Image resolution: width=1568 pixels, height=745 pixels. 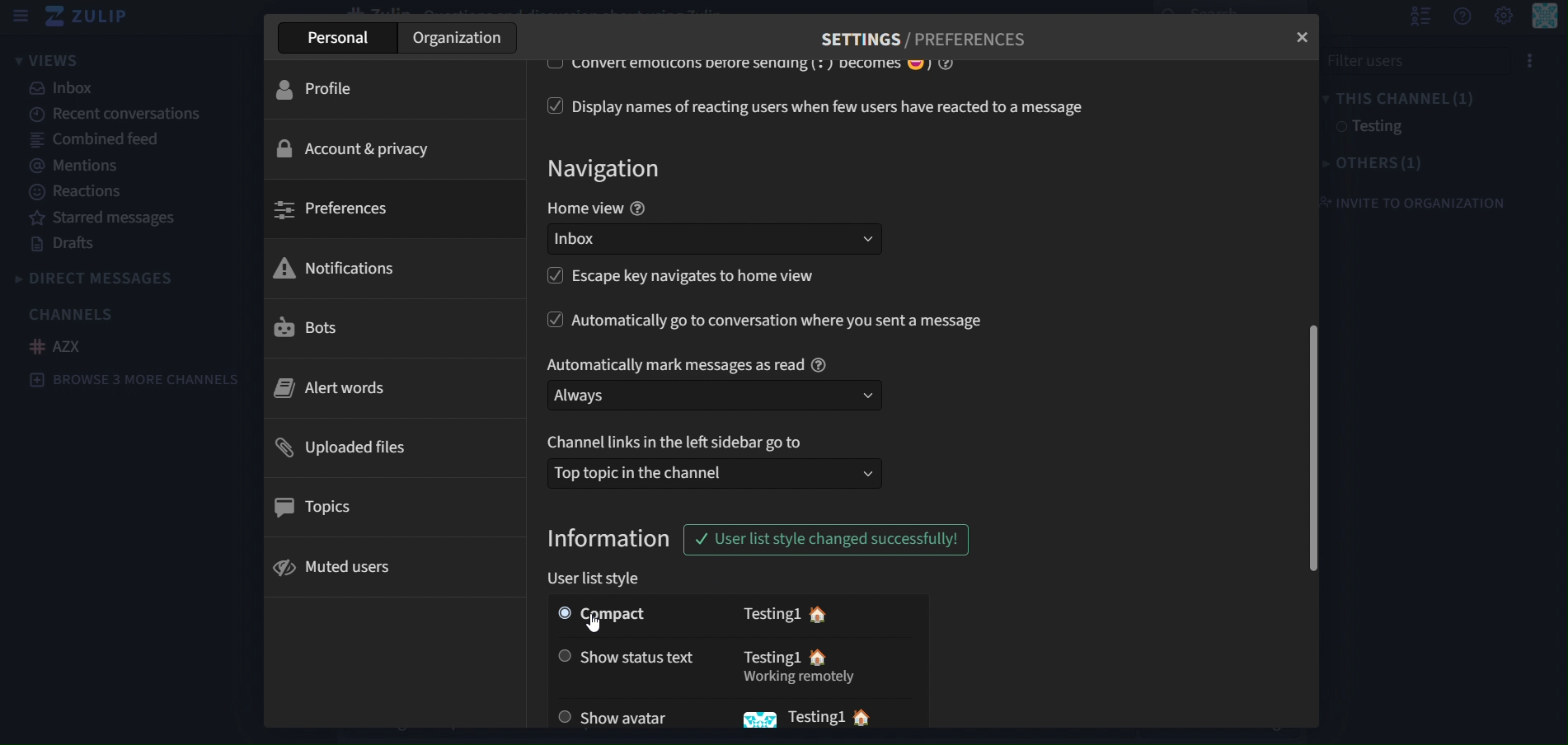 What do you see at coordinates (307, 329) in the screenshot?
I see `bots` at bounding box center [307, 329].